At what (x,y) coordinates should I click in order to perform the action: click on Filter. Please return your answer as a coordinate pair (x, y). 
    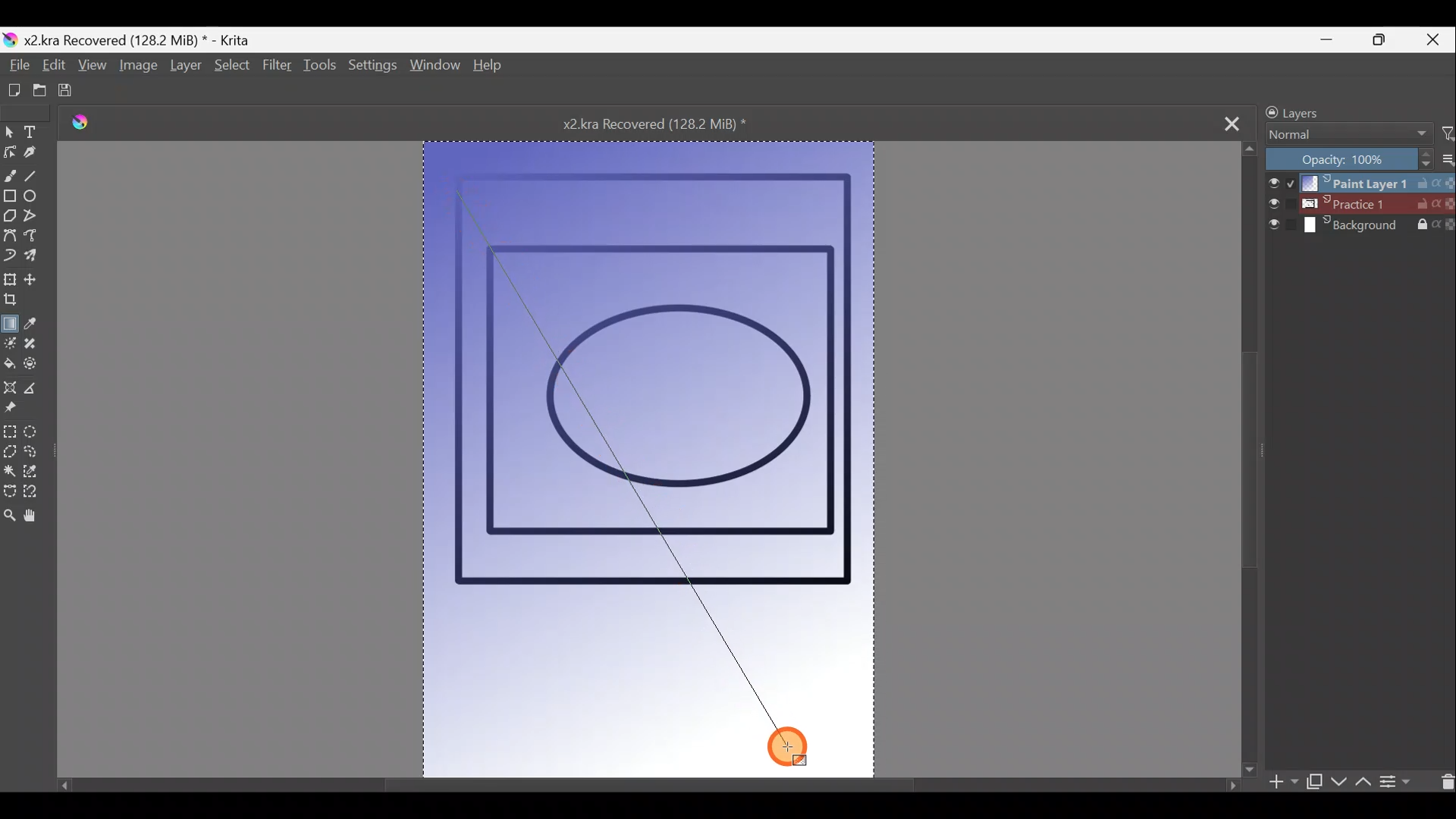
    Looking at the image, I should click on (1447, 134).